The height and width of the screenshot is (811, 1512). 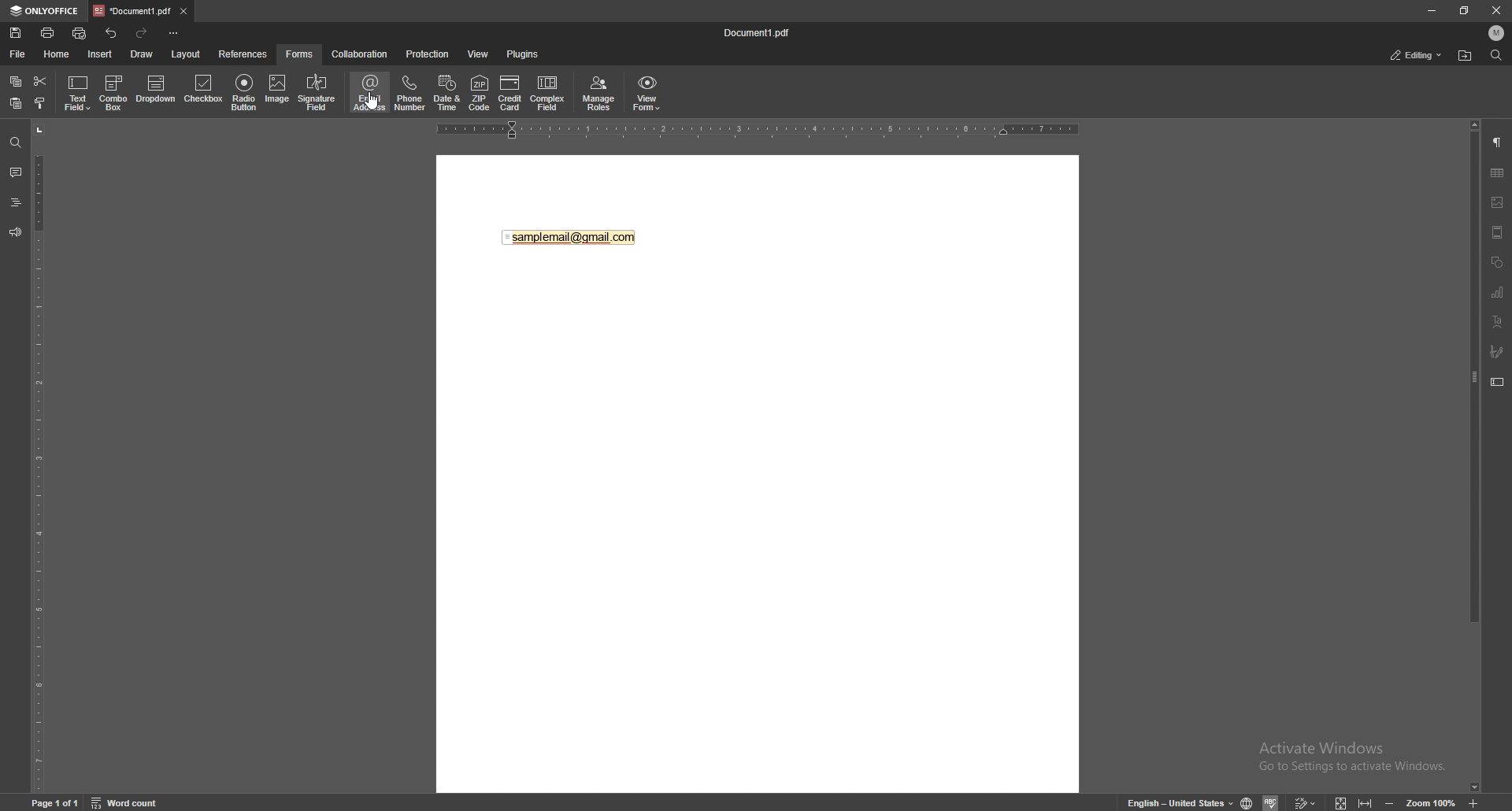 I want to click on protection, so click(x=428, y=54).